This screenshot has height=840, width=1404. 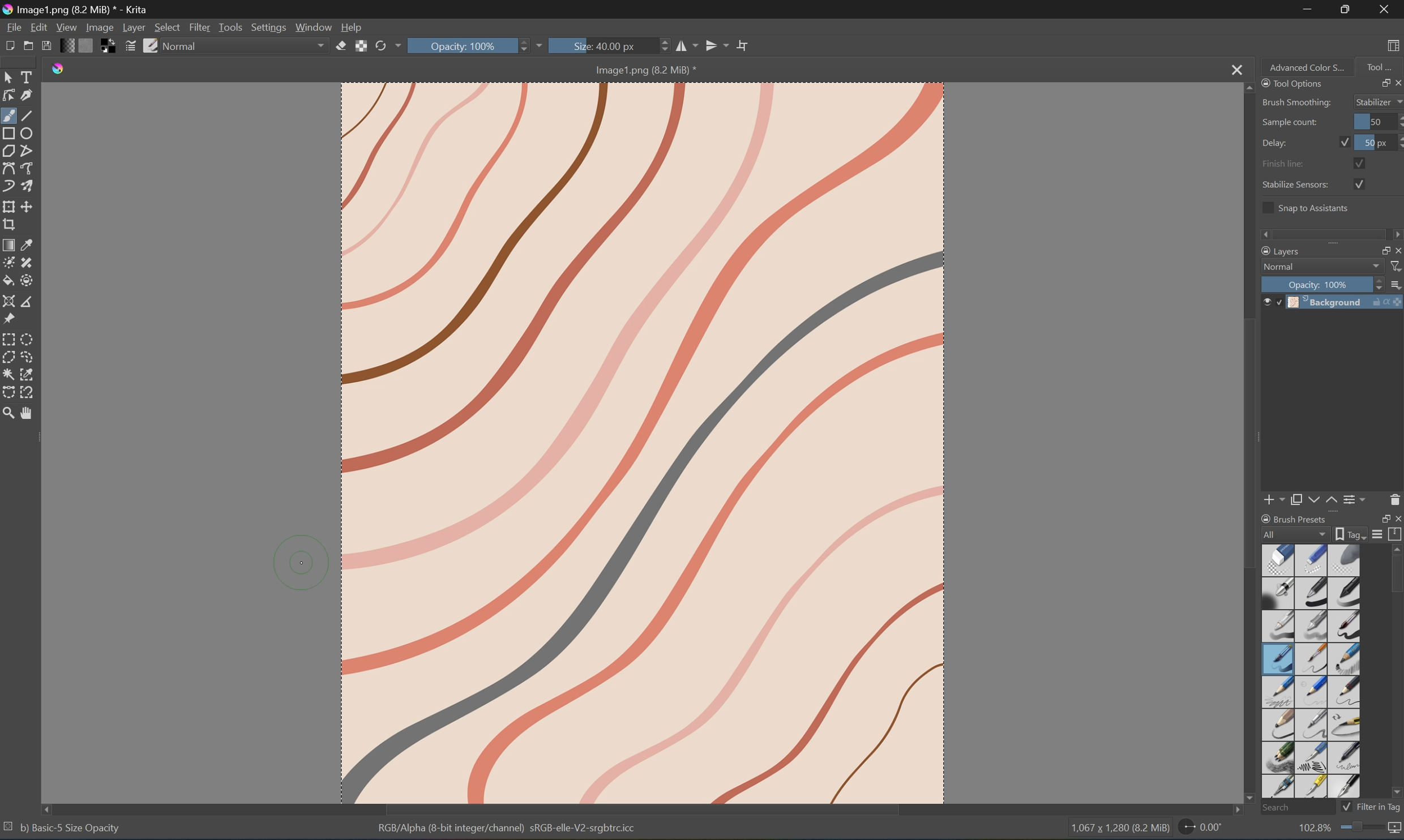 What do you see at coordinates (185, 45) in the screenshot?
I see `Normal` at bounding box center [185, 45].